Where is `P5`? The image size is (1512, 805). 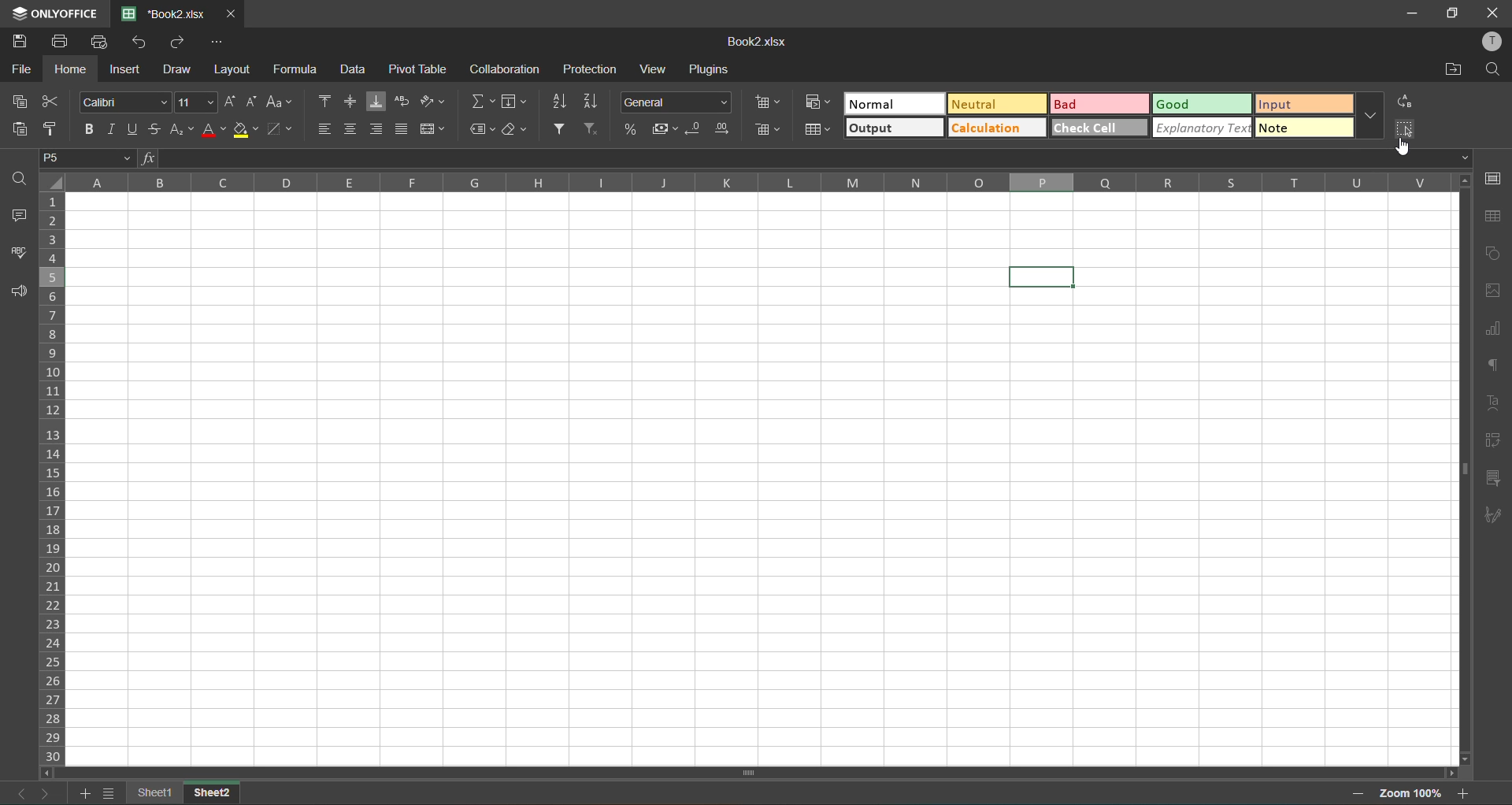
P5 is located at coordinates (86, 159).